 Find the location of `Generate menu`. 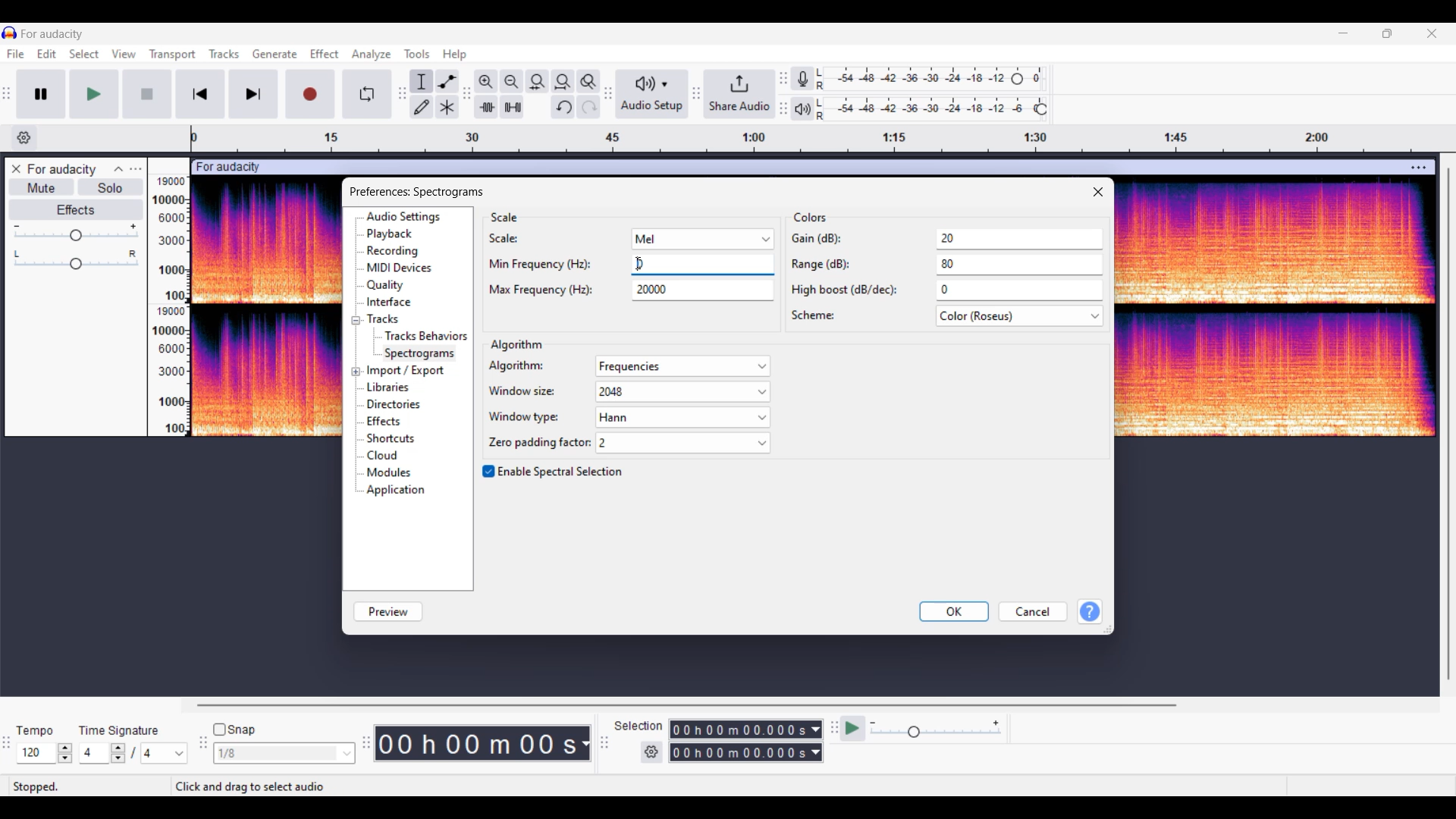

Generate menu is located at coordinates (275, 54).